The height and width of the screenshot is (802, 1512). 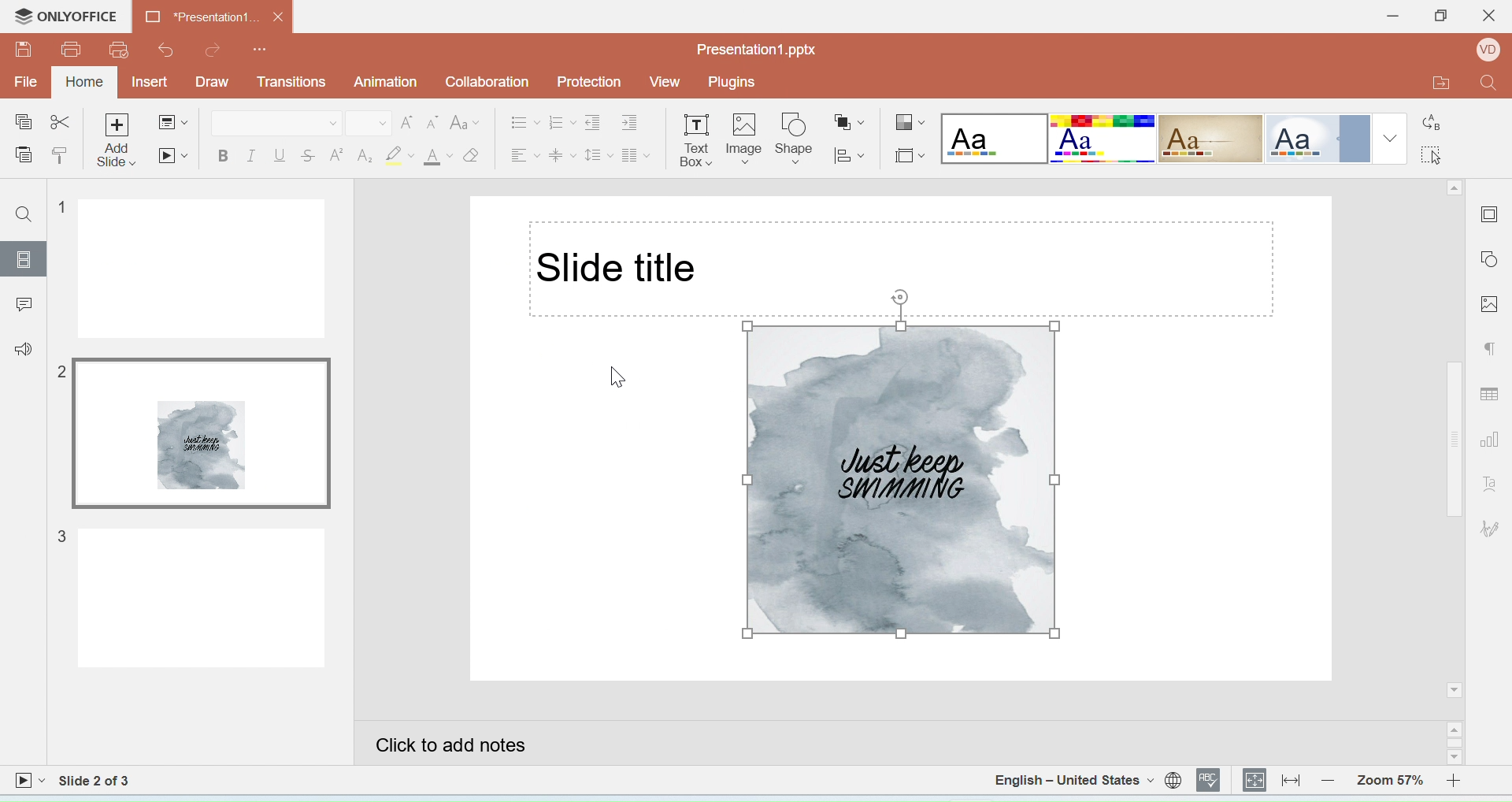 I want to click on Add slide, so click(x=119, y=141).